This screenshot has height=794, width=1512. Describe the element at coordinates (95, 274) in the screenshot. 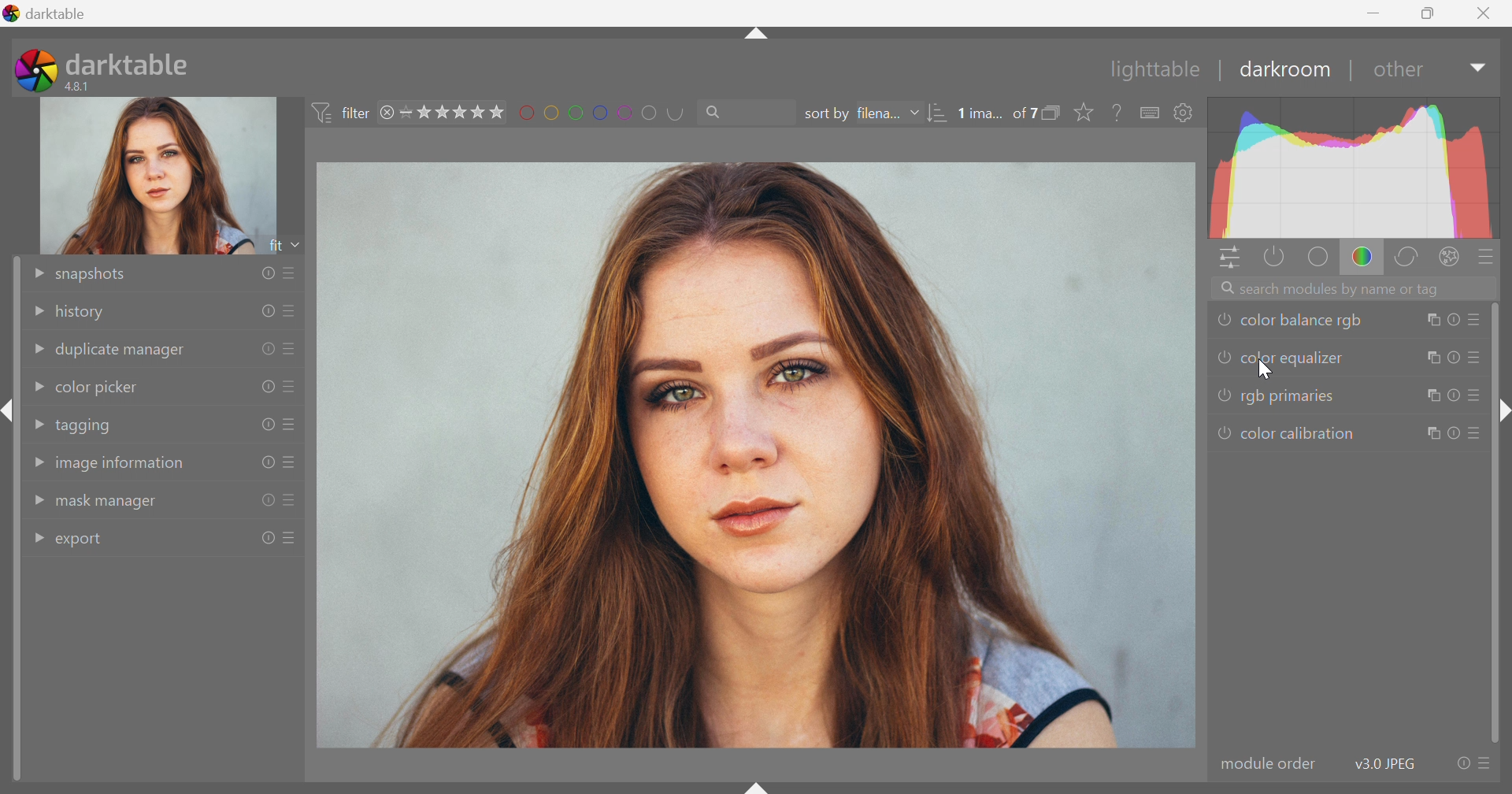

I see `snapshots` at that location.